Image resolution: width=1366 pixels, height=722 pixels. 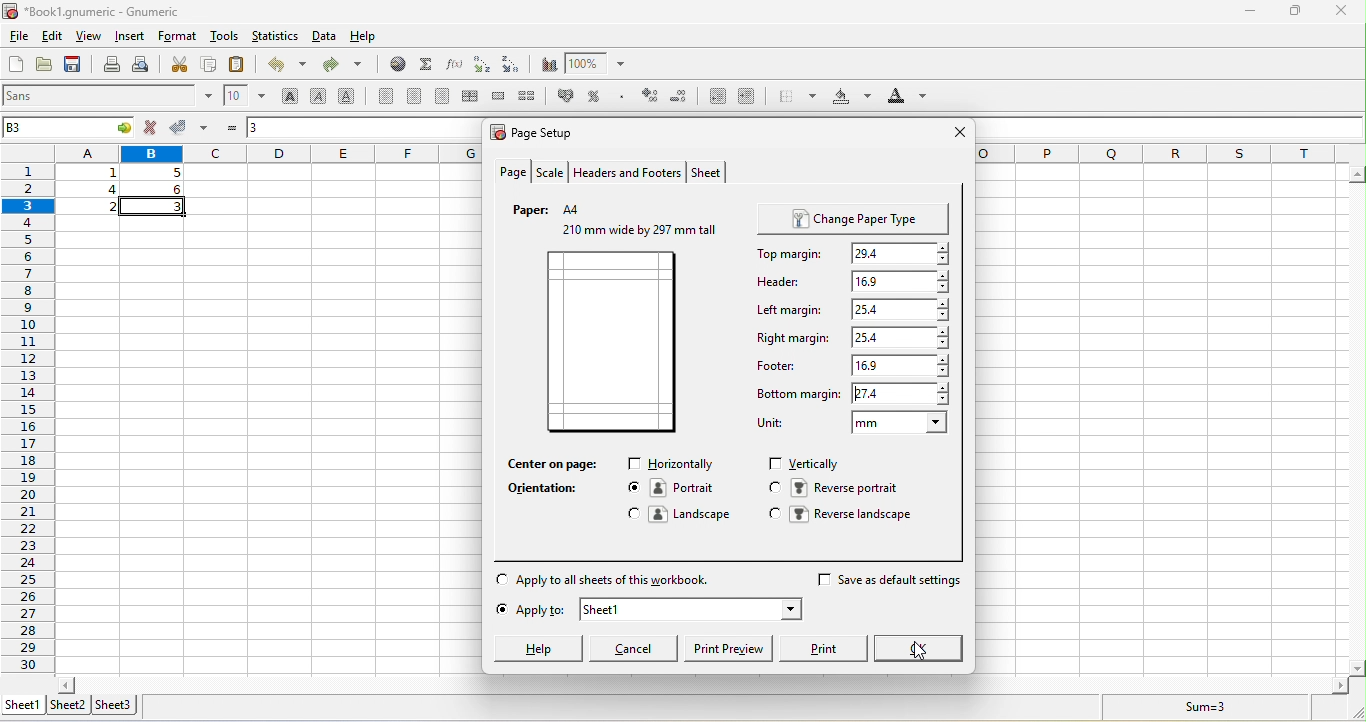 What do you see at coordinates (682, 513) in the screenshot?
I see `landscape` at bounding box center [682, 513].